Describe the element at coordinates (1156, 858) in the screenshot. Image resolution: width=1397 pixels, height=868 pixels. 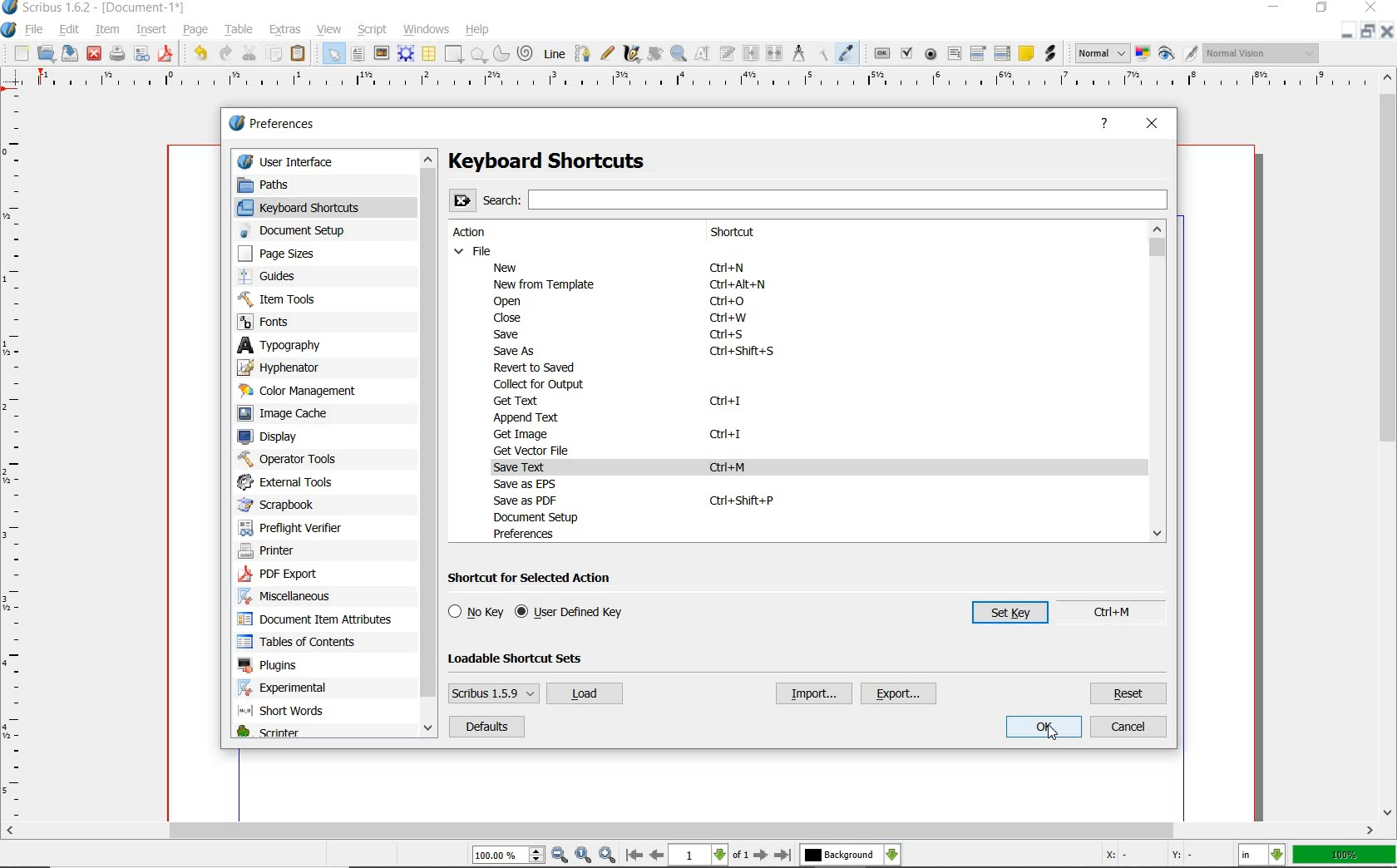
I see `coordinates` at that location.